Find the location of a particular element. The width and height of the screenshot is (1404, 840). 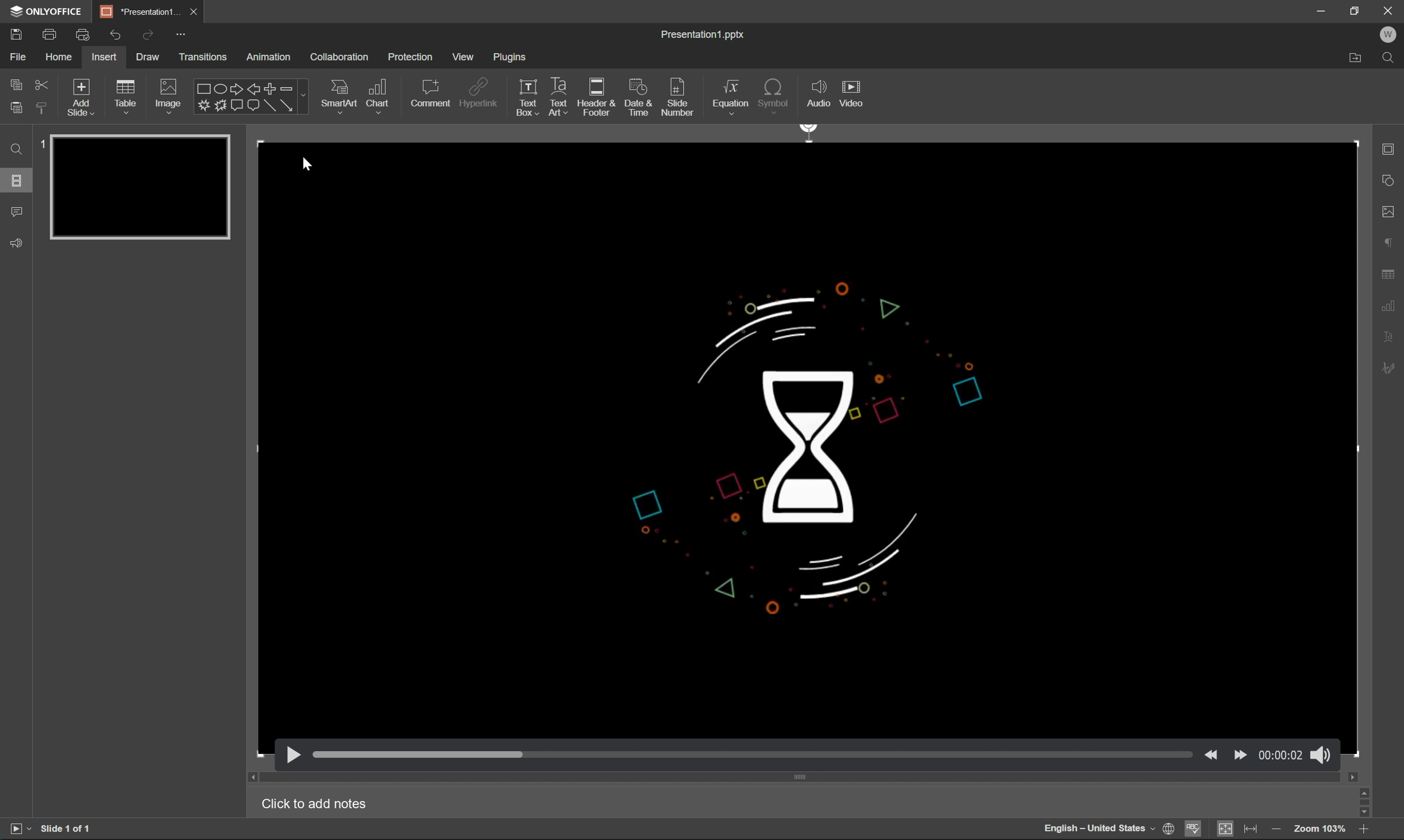

undo is located at coordinates (112, 35).